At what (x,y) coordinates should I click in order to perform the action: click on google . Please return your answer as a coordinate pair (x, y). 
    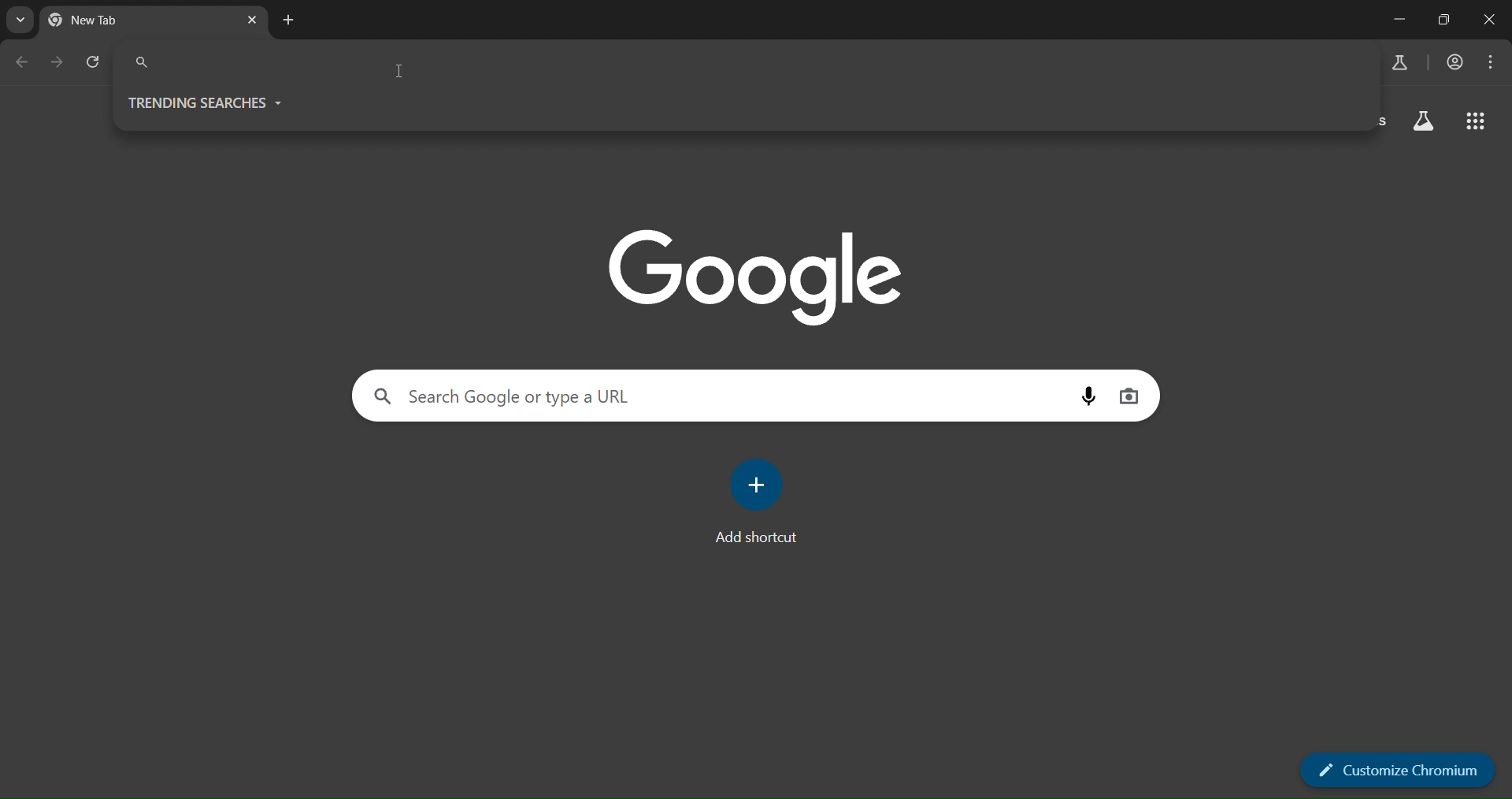
    Looking at the image, I should click on (763, 273).